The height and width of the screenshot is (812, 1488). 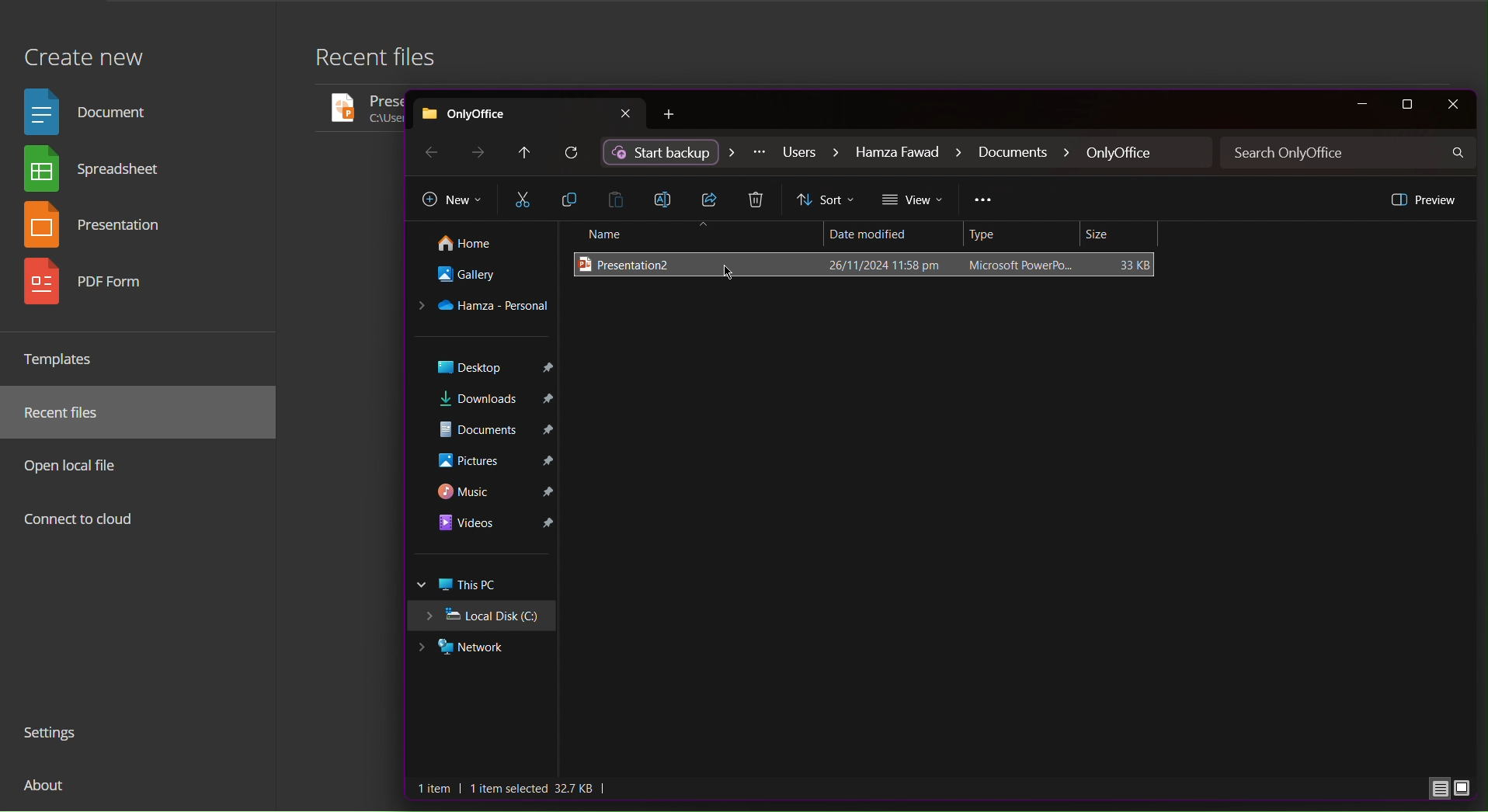 I want to click on Preview, so click(x=1422, y=199).